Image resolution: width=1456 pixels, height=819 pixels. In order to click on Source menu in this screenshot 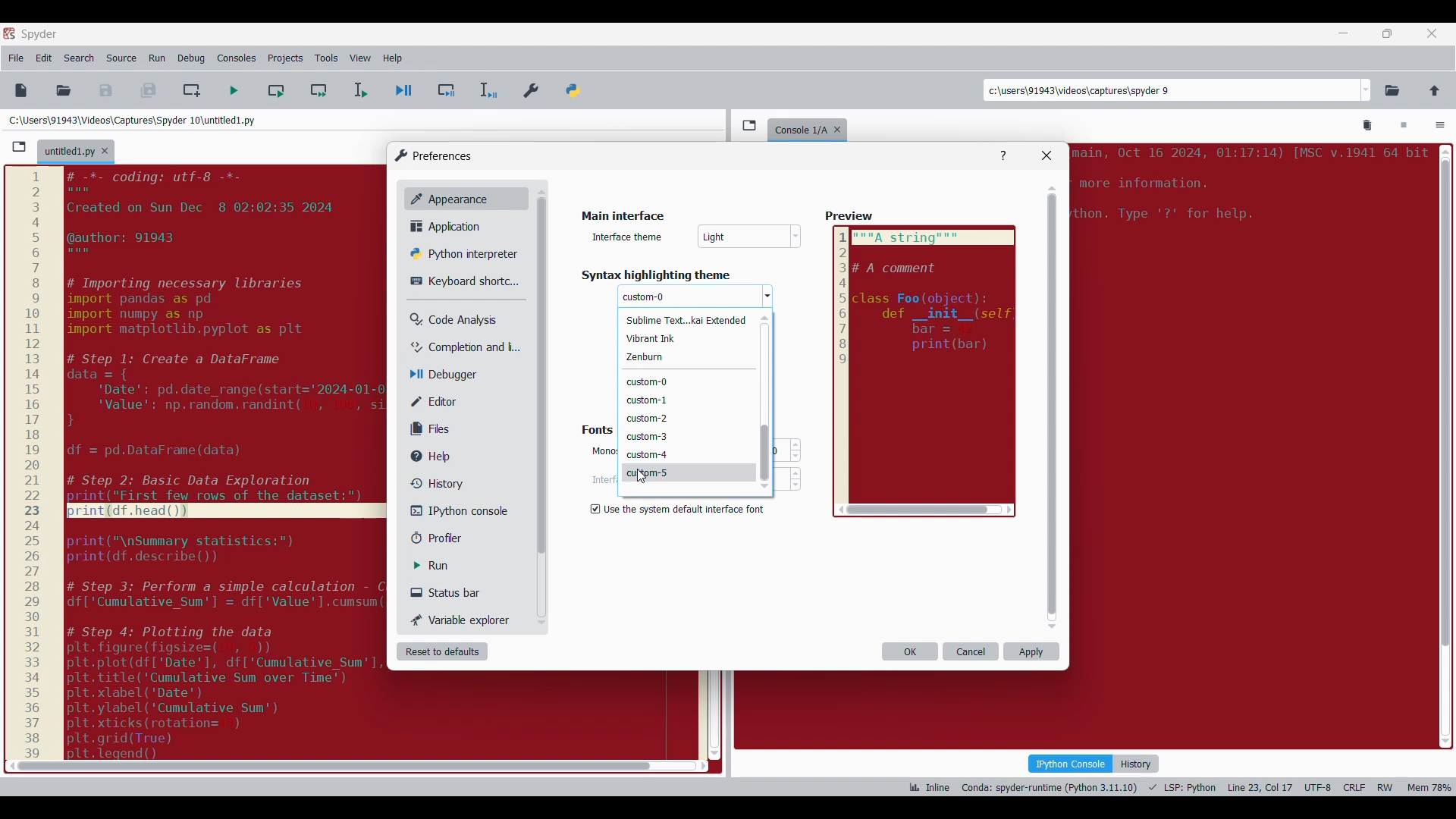, I will do `click(121, 58)`.